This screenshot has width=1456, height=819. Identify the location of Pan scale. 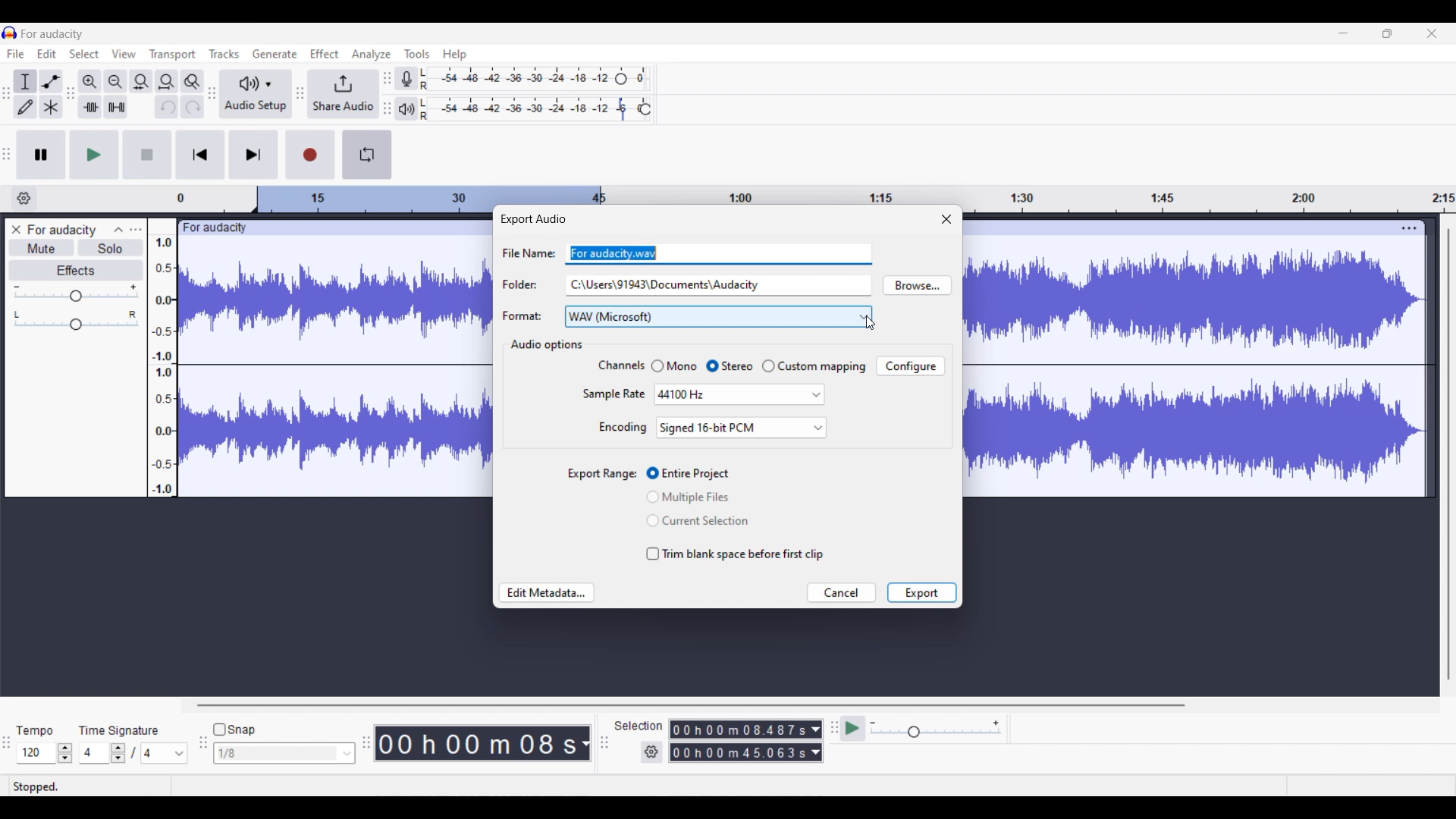
(76, 321).